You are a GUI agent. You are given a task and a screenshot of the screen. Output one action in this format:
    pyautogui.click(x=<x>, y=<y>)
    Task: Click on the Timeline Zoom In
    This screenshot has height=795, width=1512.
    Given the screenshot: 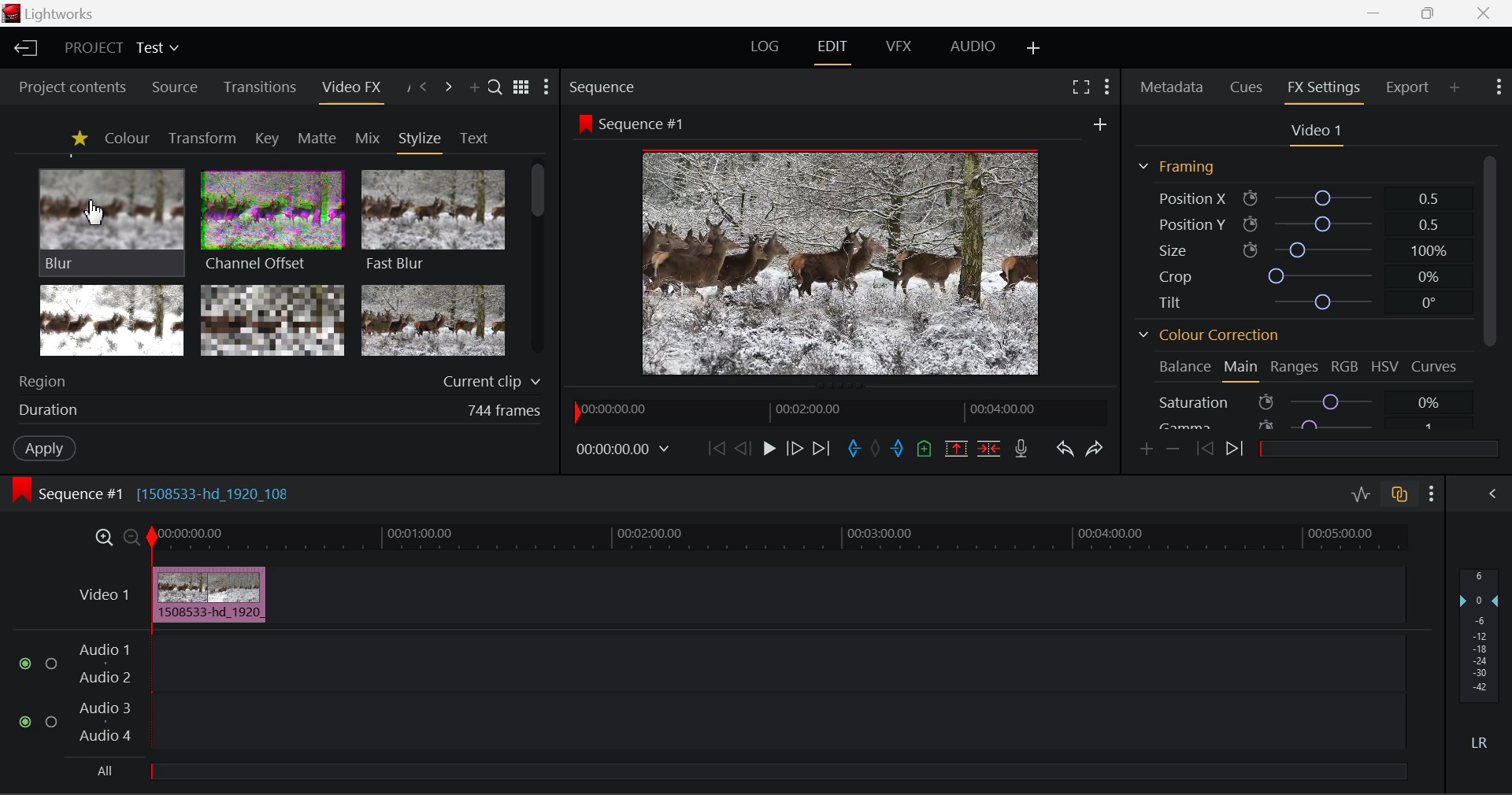 What is the action you would take?
    pyautogui.click(x=103, y=538)
    